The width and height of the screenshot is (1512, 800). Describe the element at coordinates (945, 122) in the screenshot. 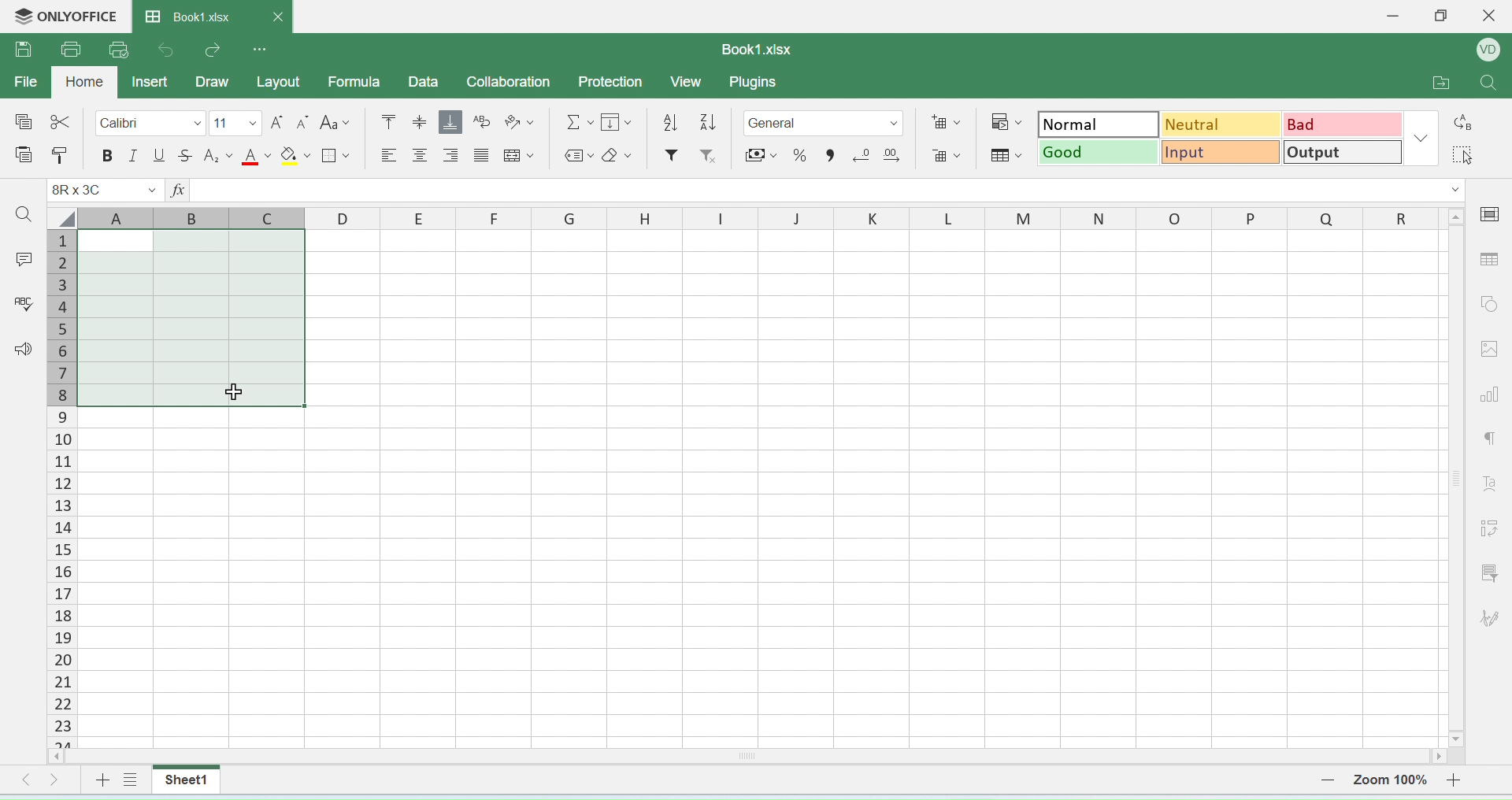

I see `add cells` at that location.